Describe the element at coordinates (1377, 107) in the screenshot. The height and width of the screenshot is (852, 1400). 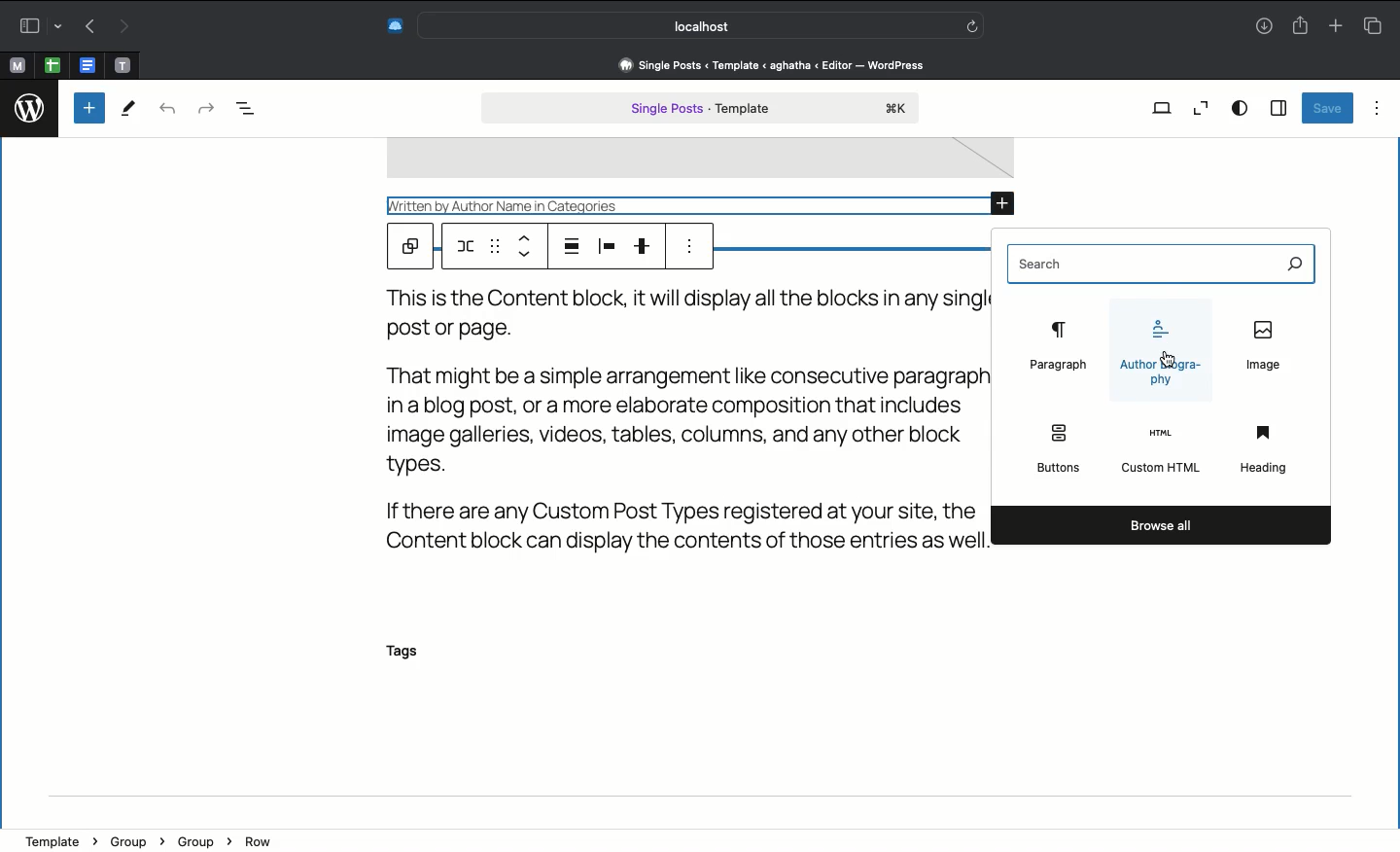
I see `Options` at that location.